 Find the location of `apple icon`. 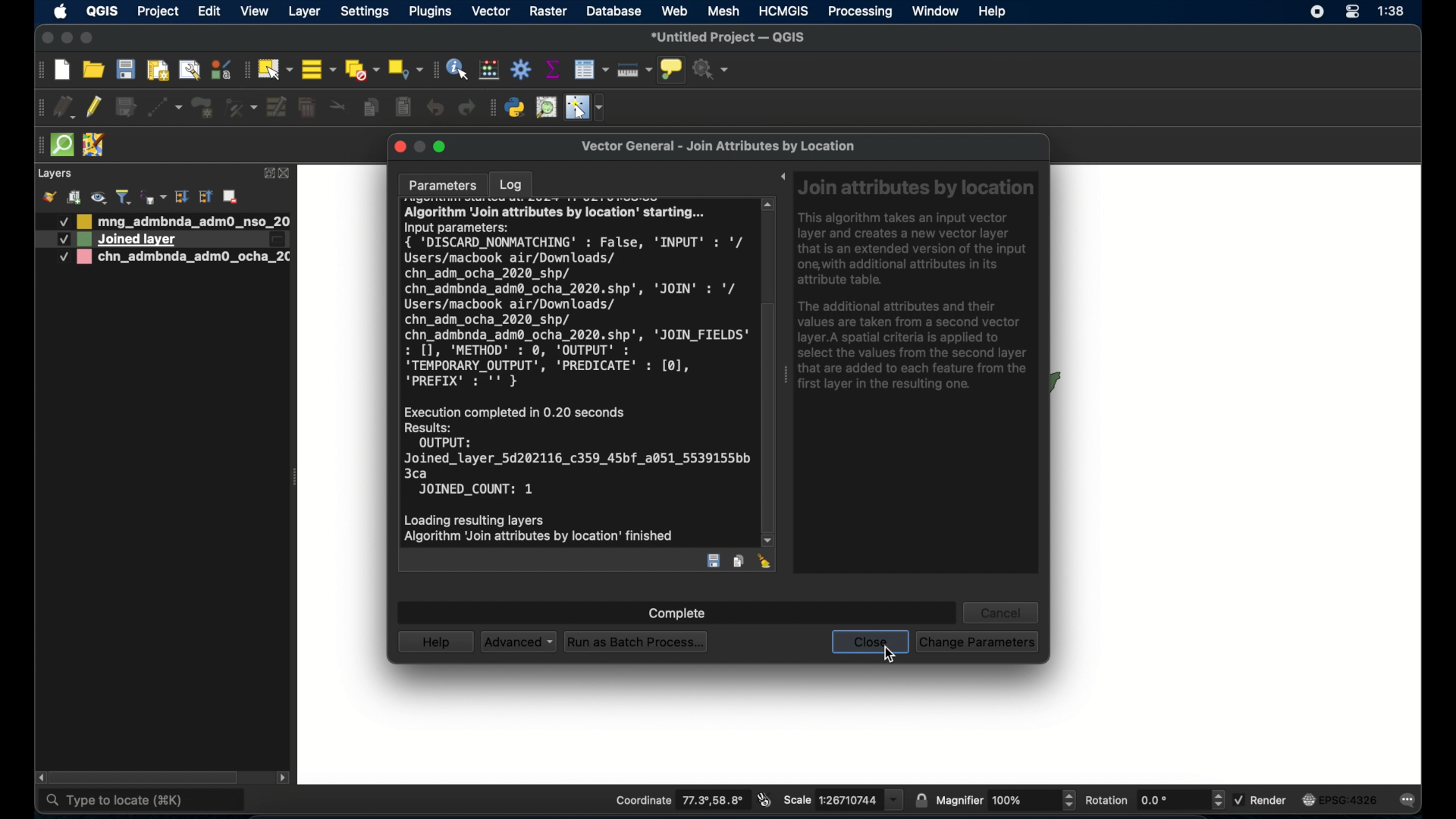

apple icon is located at coordinates (60, 11).